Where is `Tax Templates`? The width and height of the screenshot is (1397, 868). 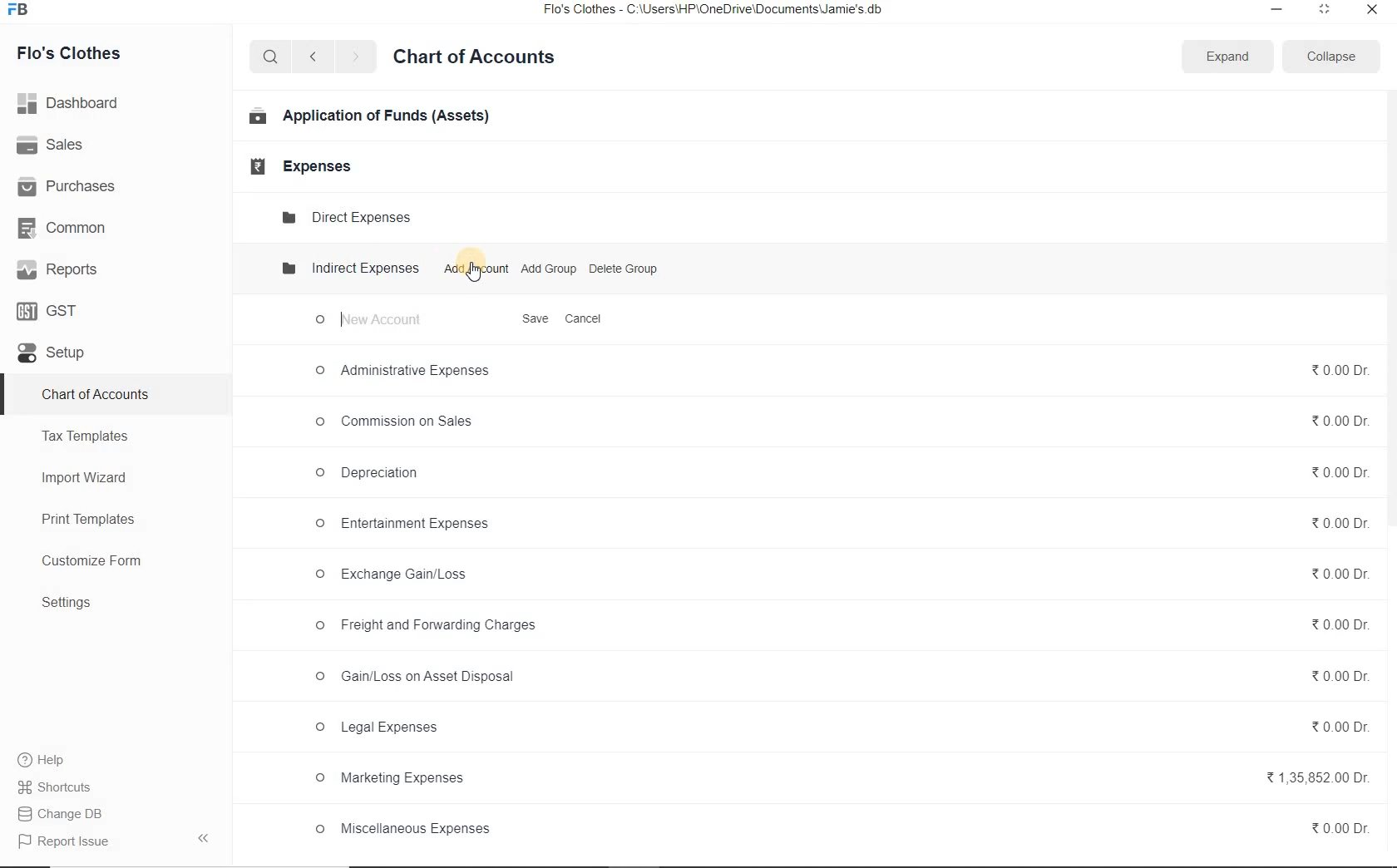
Tax Templates is located at coordinates (86, 436).